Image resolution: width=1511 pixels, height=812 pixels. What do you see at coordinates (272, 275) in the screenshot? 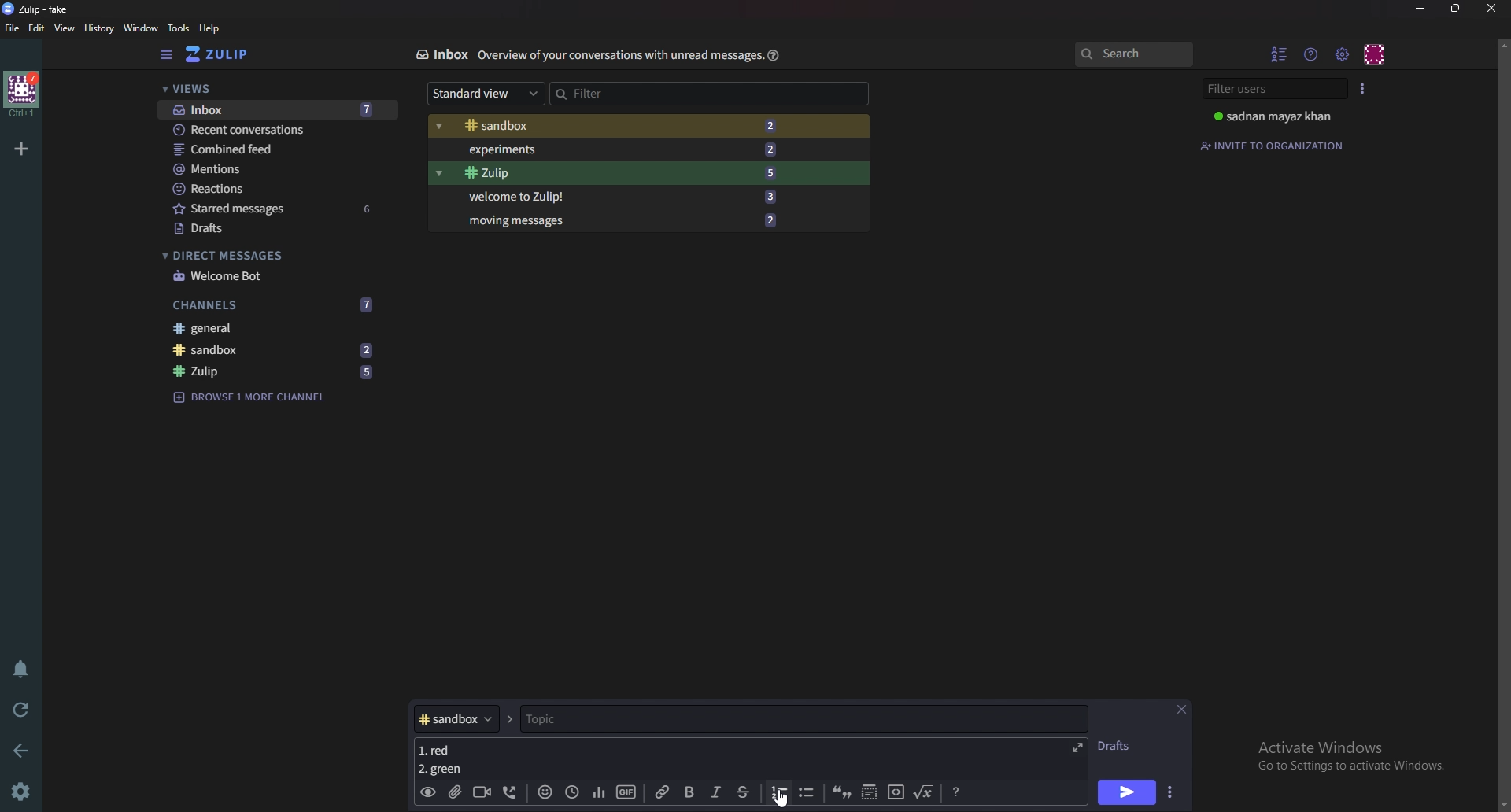
I see `welcome bot` at bounding box center [272, 275].